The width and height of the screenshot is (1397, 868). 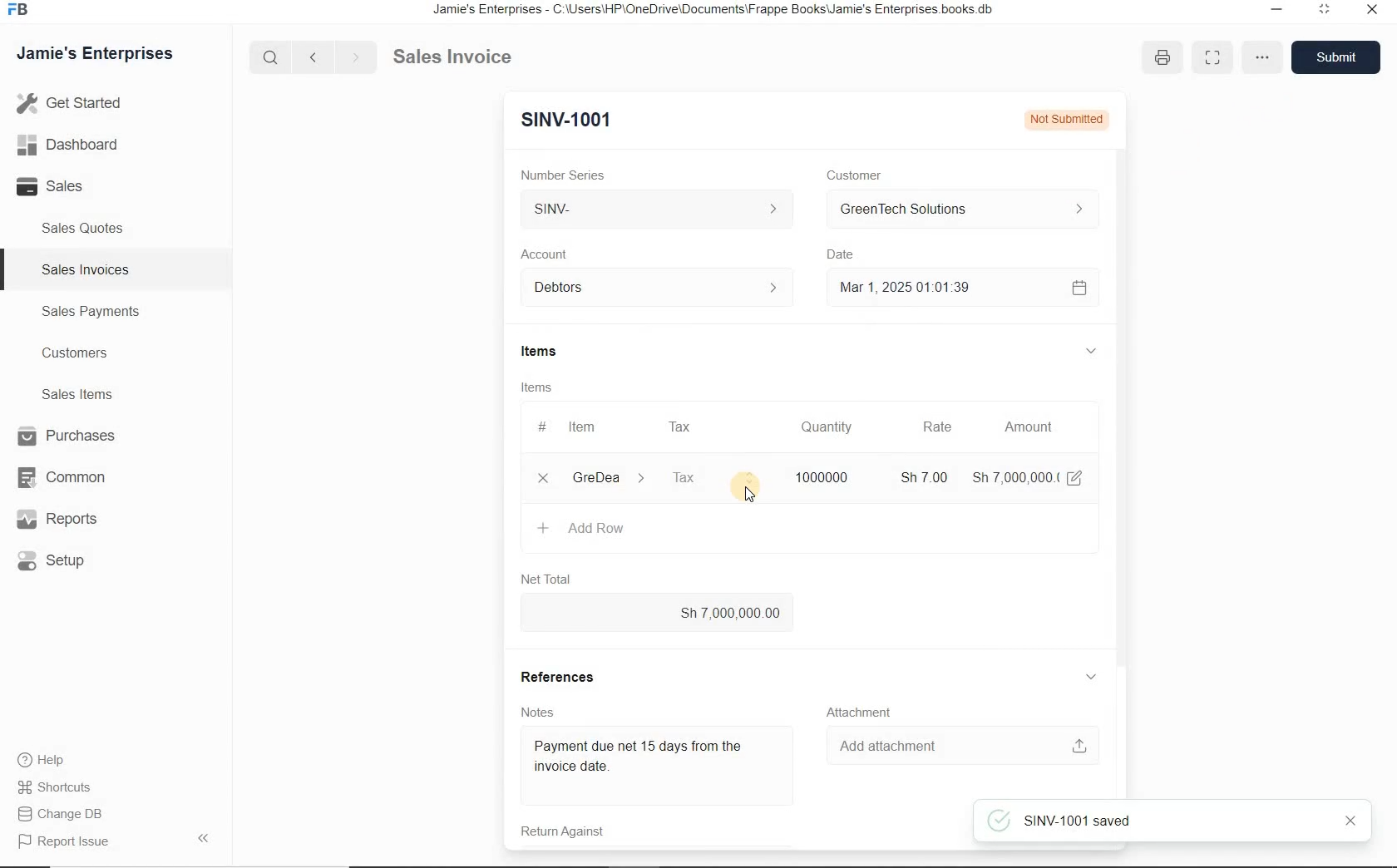 I want to click on frappe books, so click(x=17, y=11).